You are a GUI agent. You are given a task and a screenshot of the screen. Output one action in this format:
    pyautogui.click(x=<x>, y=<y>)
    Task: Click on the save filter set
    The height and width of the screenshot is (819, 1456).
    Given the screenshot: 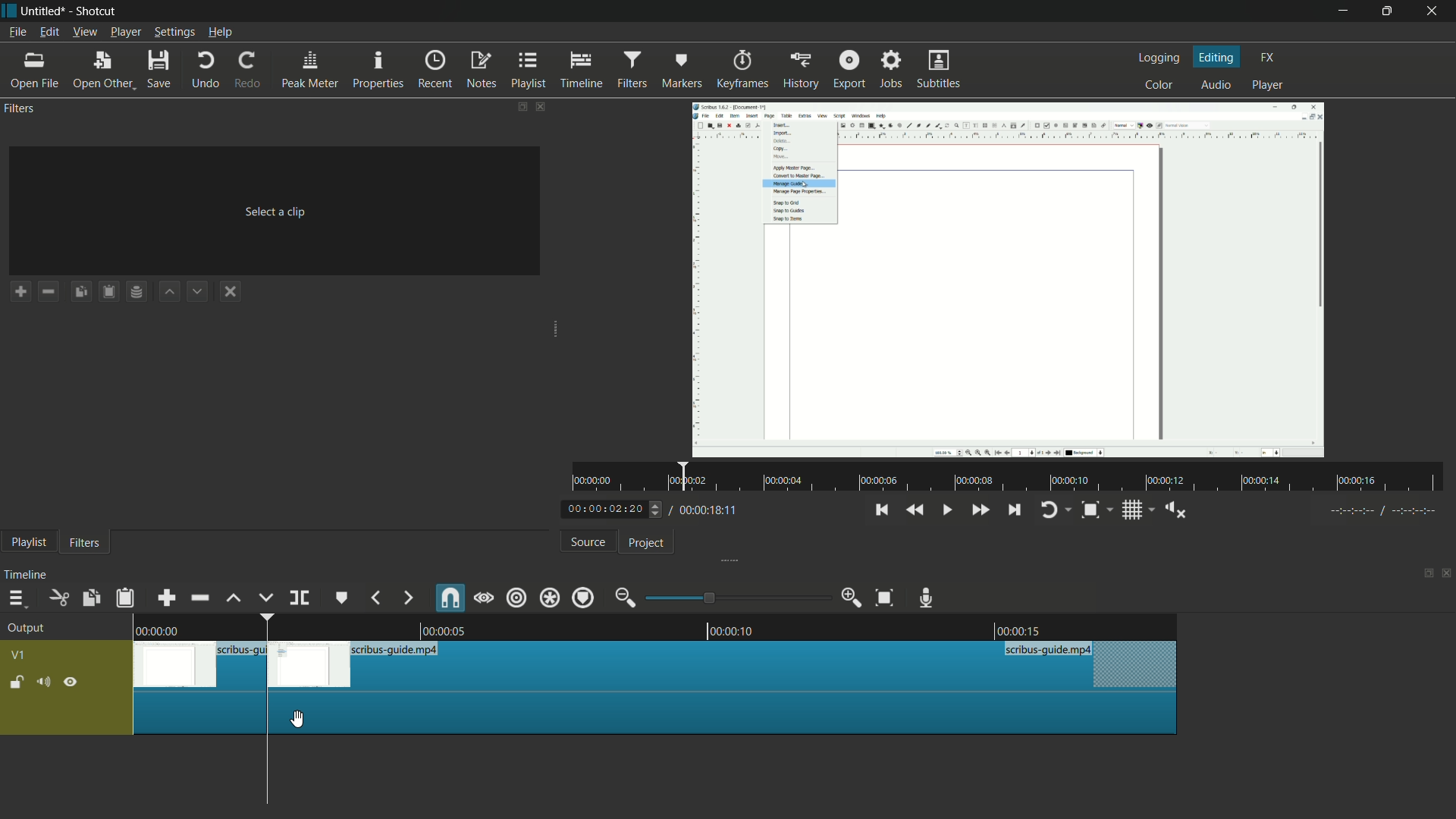 What is the action you would take?
    pyautogui.click(x=137, y=293)
    